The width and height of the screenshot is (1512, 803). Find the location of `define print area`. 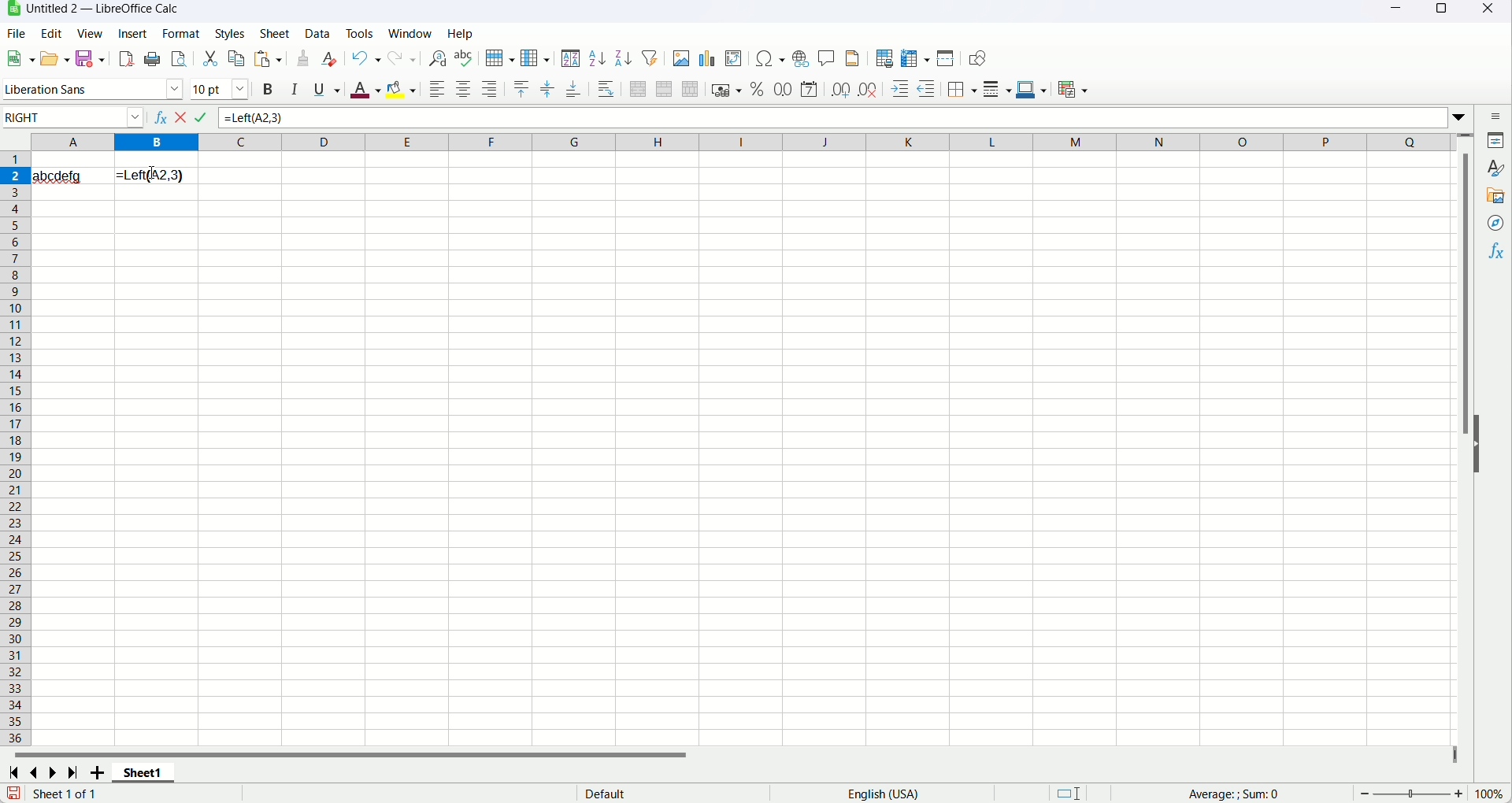

define print area is located at coordinates (886, 58).